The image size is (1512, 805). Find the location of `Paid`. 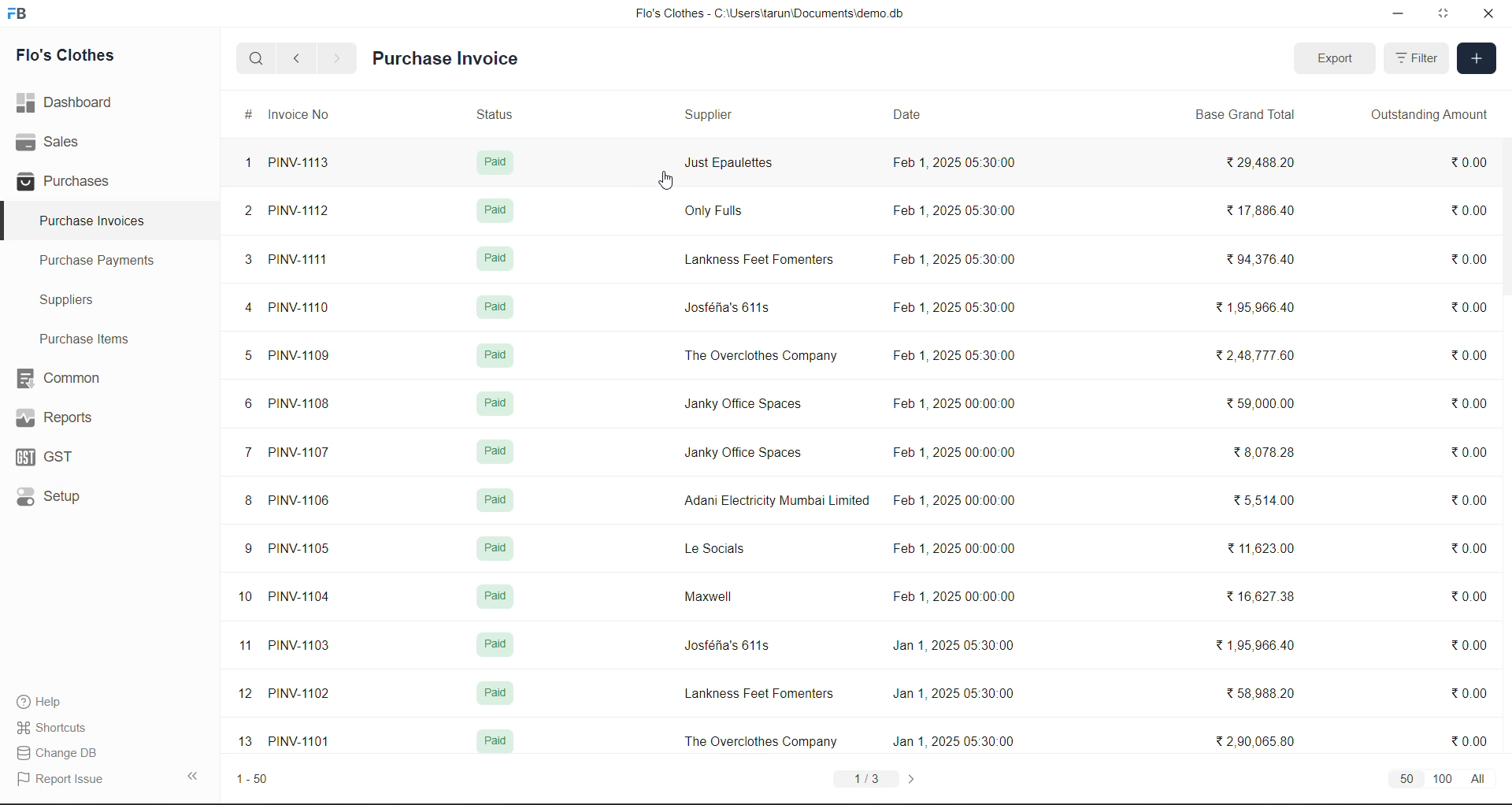

Paid is located at coordinates (495, 647).